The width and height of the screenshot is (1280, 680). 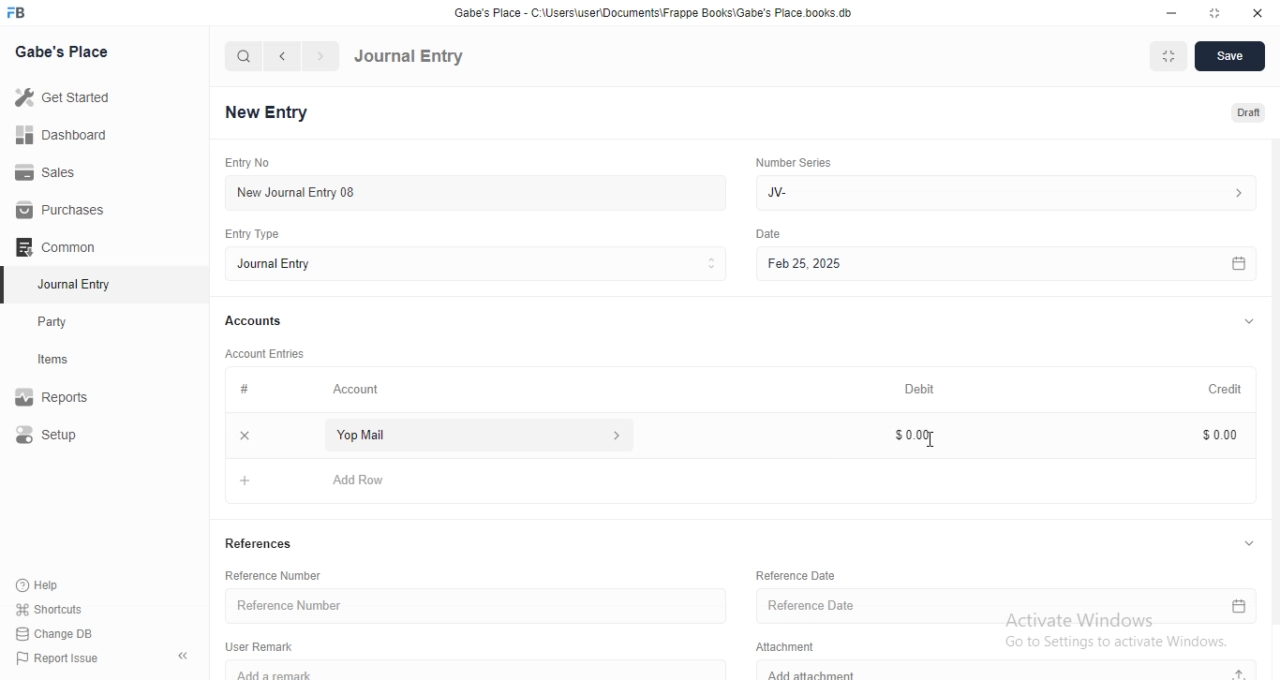 What do you see at coordinates (267, 354) in the screenshot?
I see `Account Entries` at bounding box center [267, 354].